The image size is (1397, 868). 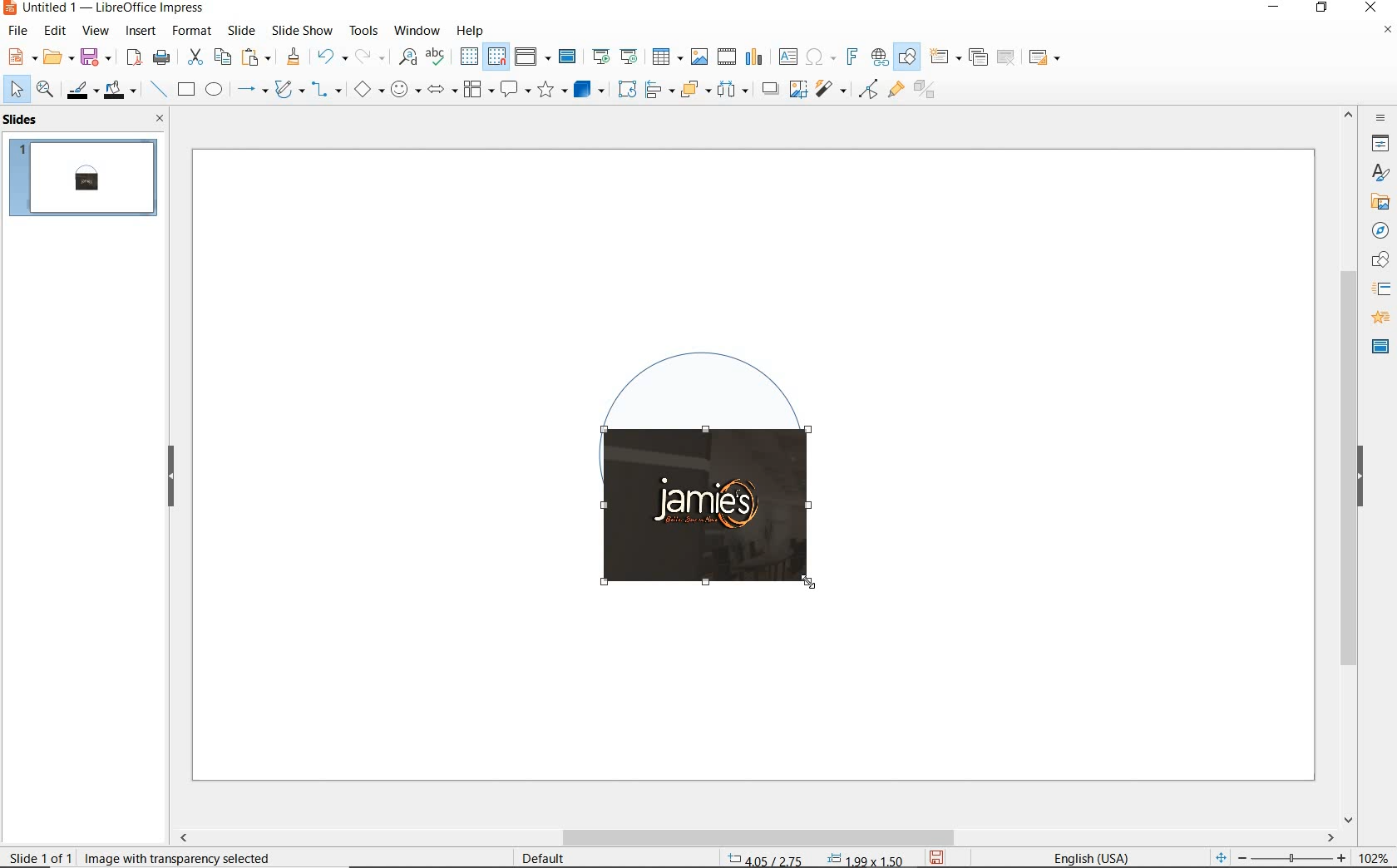 What do you see at coordinates (832, 86) in the screenshot?
I see `filter` at bounding box center [832, 86].